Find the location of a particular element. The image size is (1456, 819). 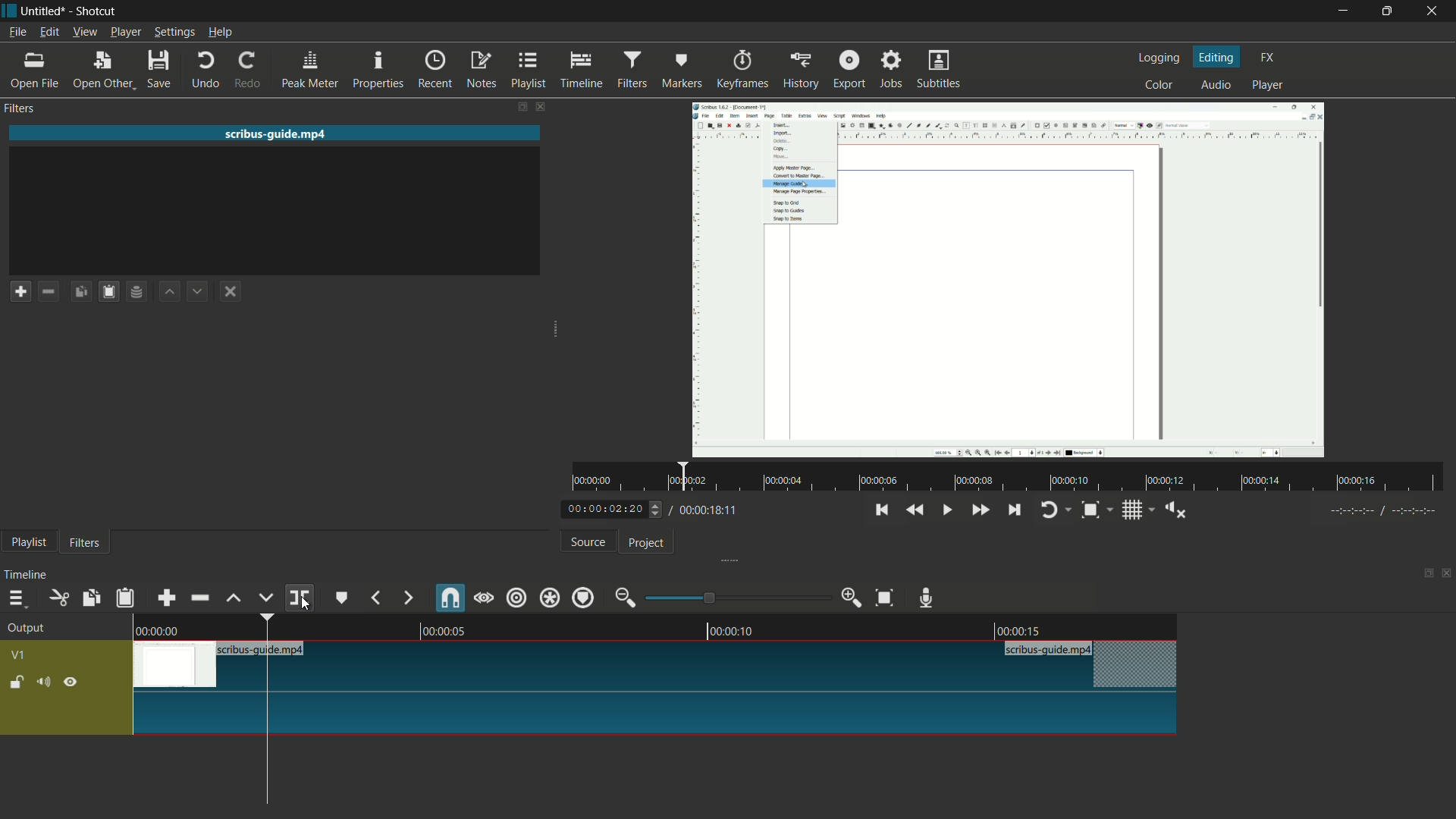

maximize is located at coordinates (1389, 11).